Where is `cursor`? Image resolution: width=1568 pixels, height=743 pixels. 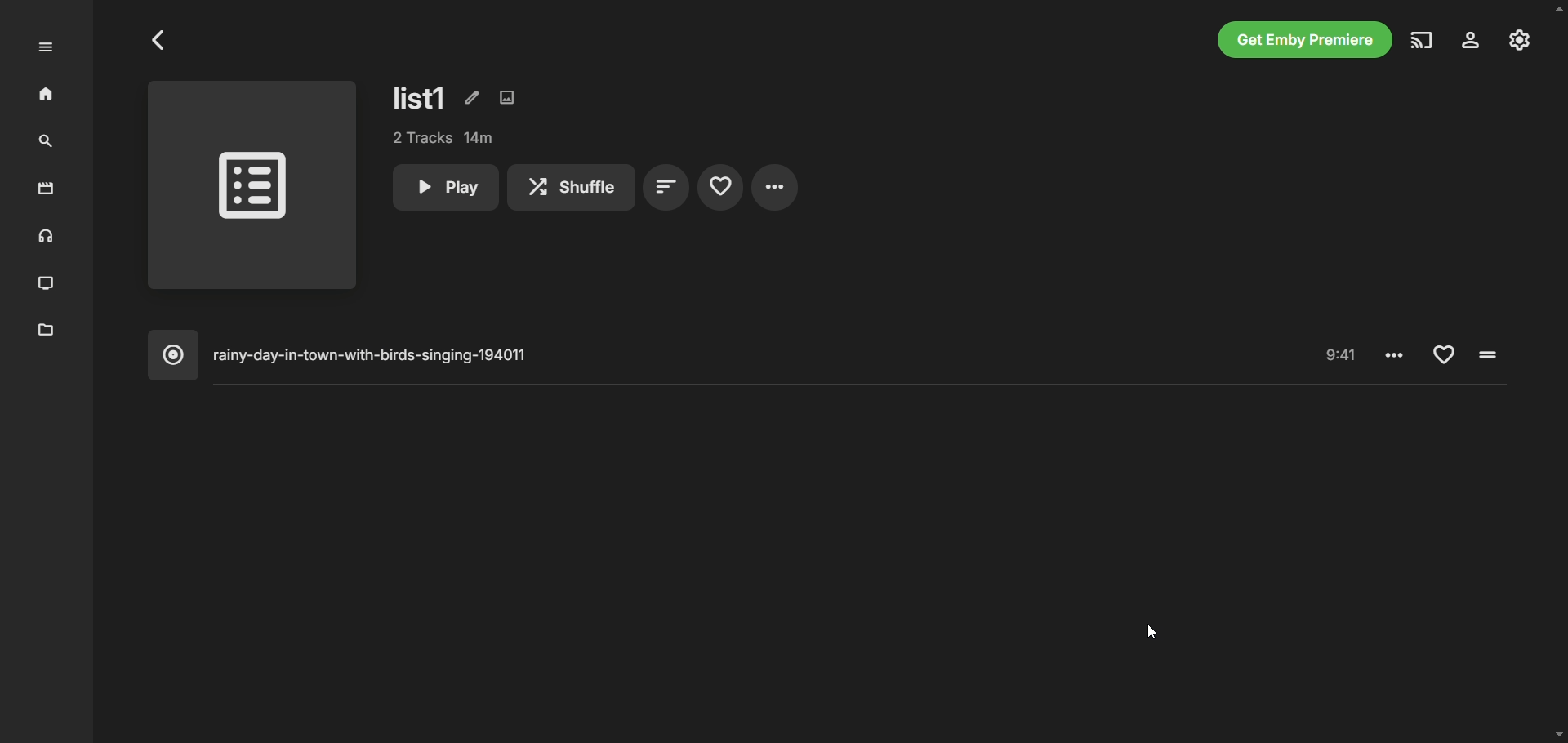
cursor is located at coordinates (1152, 632).